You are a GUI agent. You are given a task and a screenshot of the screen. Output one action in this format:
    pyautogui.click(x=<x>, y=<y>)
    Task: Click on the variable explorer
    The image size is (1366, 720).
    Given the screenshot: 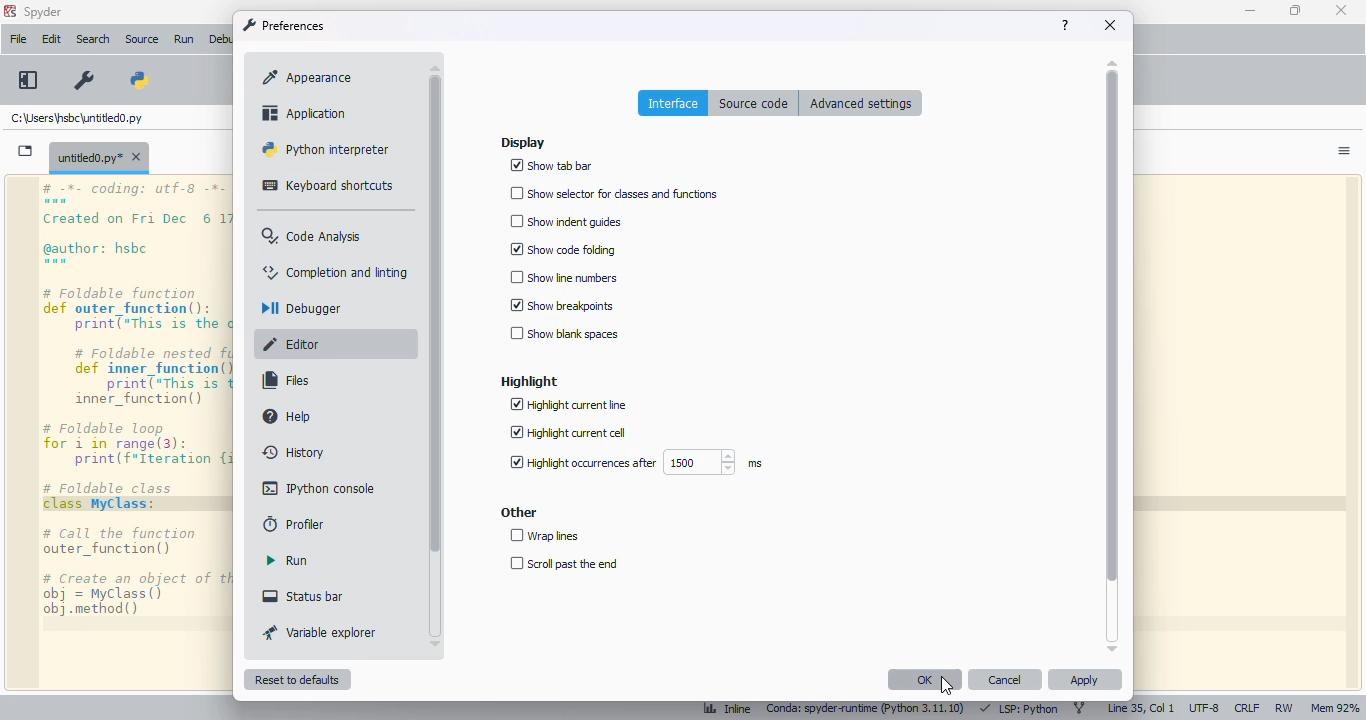 What is the action you would take?
    pyautogui.click(x=321, y=632)
    